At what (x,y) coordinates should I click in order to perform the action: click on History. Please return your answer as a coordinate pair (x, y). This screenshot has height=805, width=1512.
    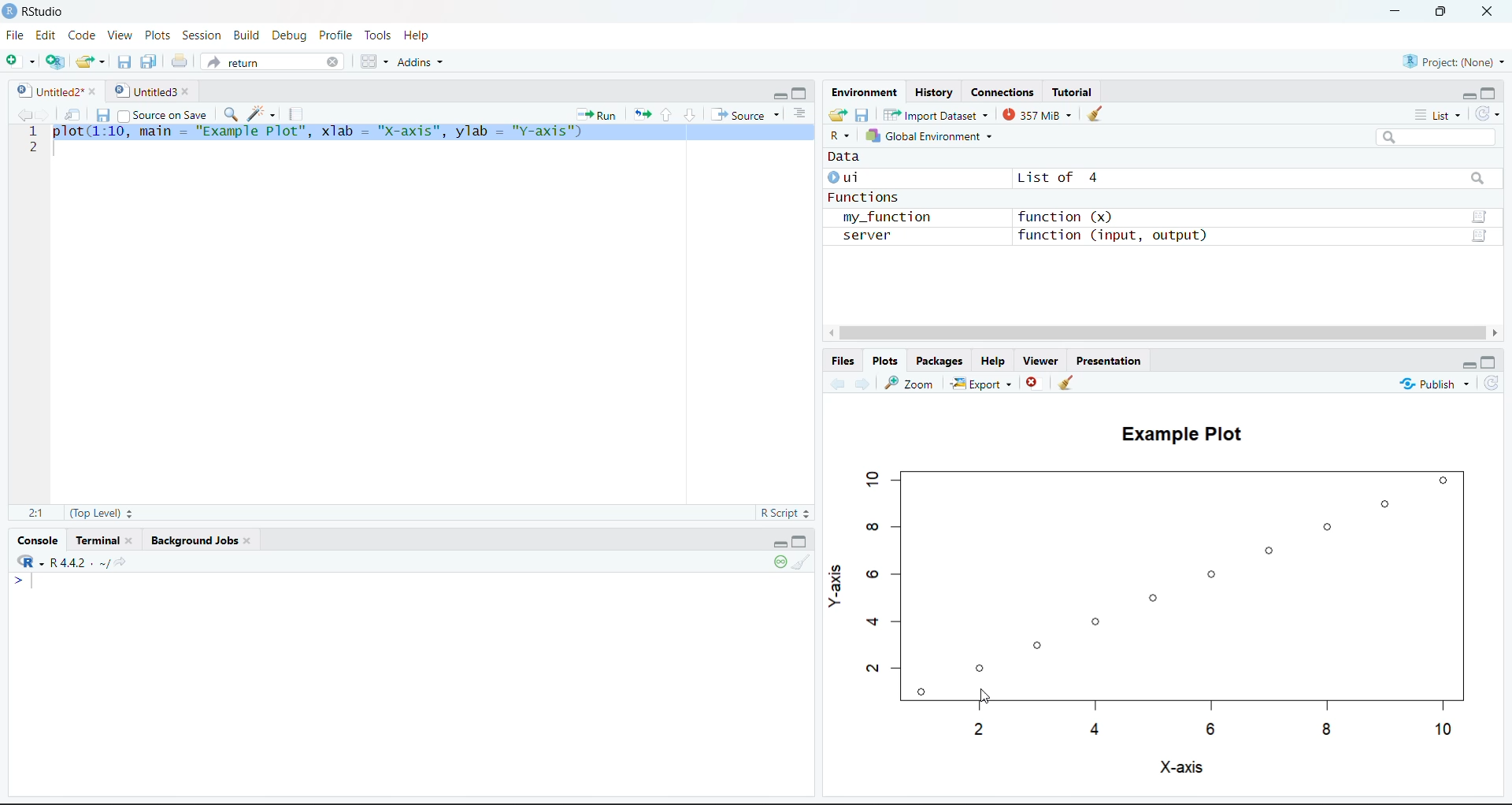
    Looking at the image, I should click on (934, 91).